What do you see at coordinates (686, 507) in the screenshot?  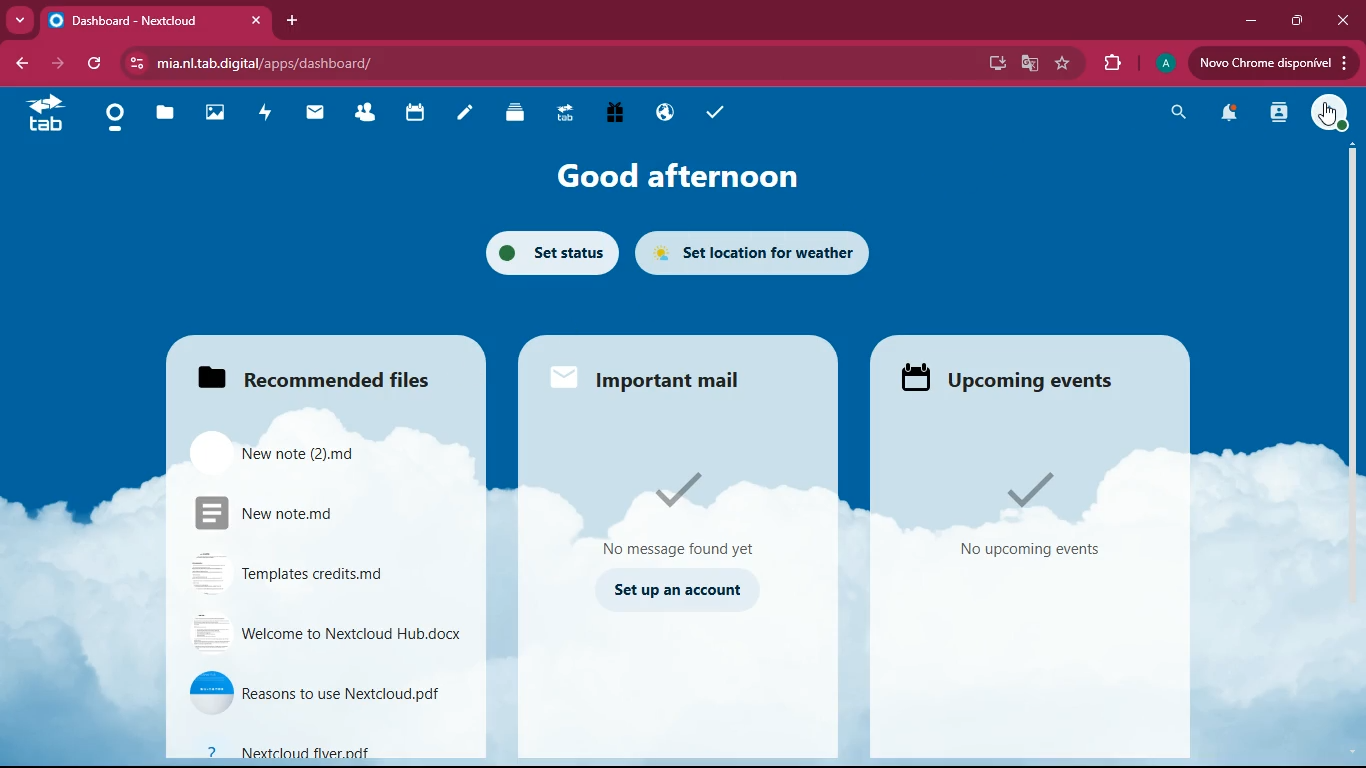 I see `mail` at bounding box center [686, 507].